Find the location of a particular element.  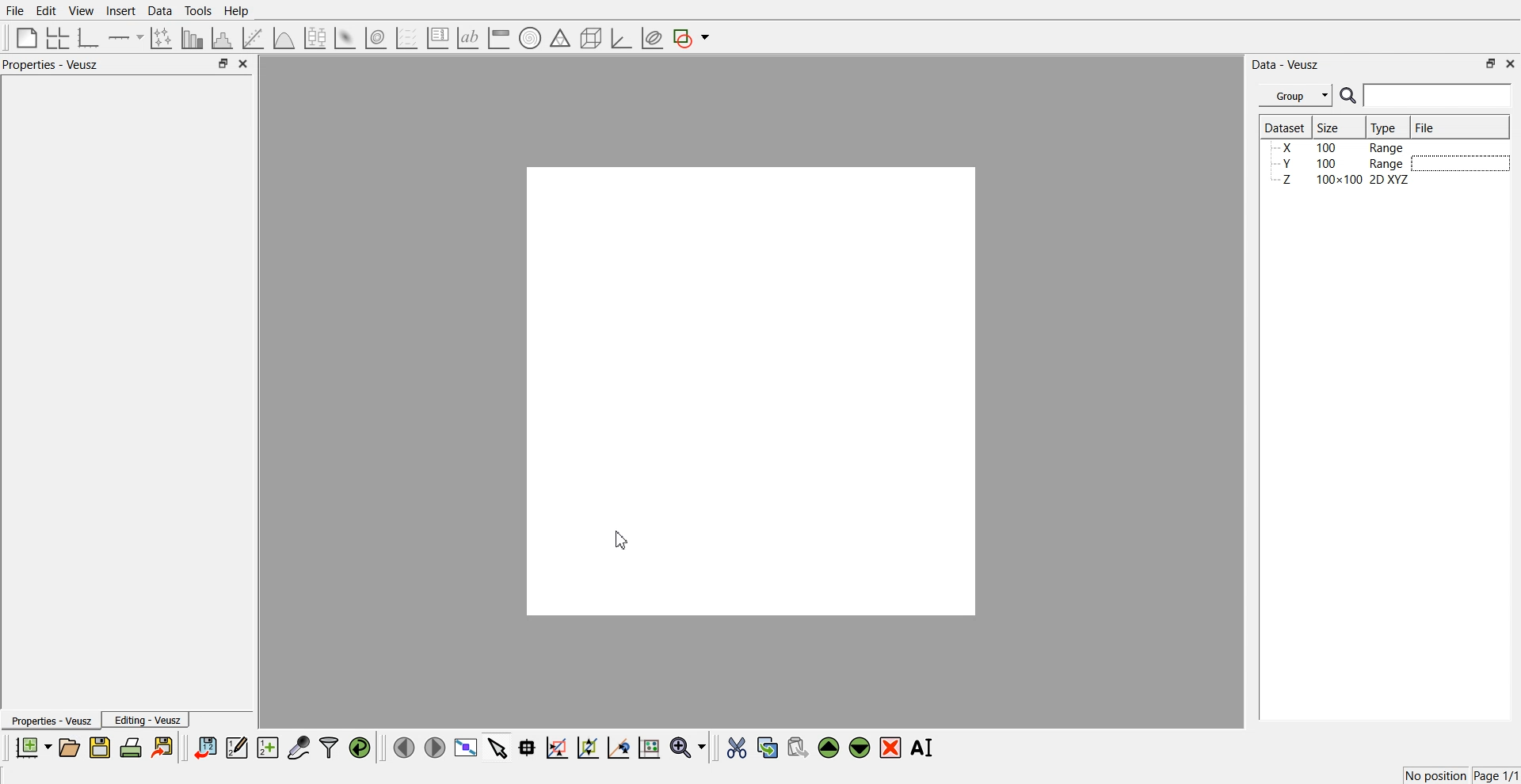

Add shape to the plot is located at coordinates (691, 38).